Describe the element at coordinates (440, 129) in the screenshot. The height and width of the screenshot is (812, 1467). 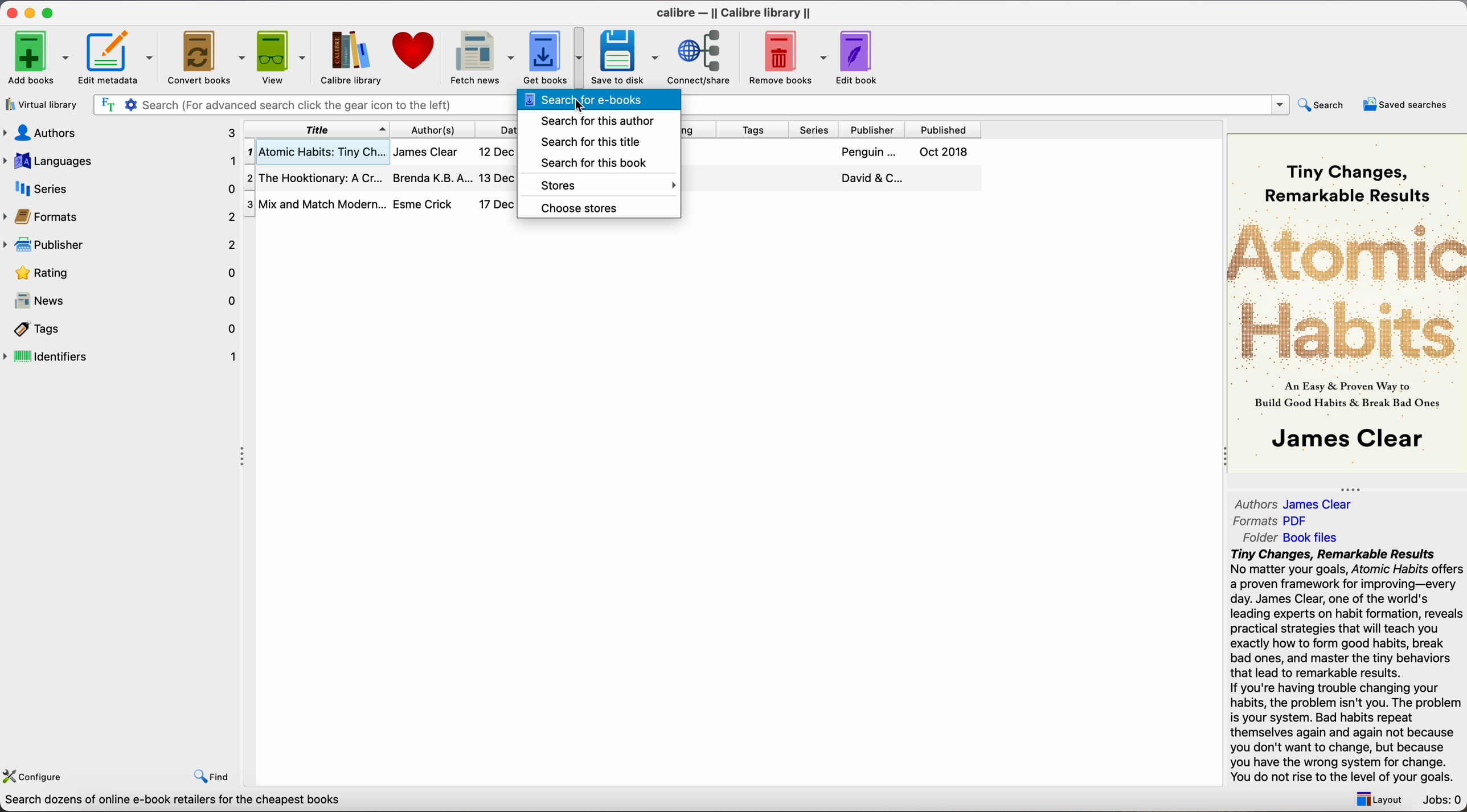
I see `authors` at that location.